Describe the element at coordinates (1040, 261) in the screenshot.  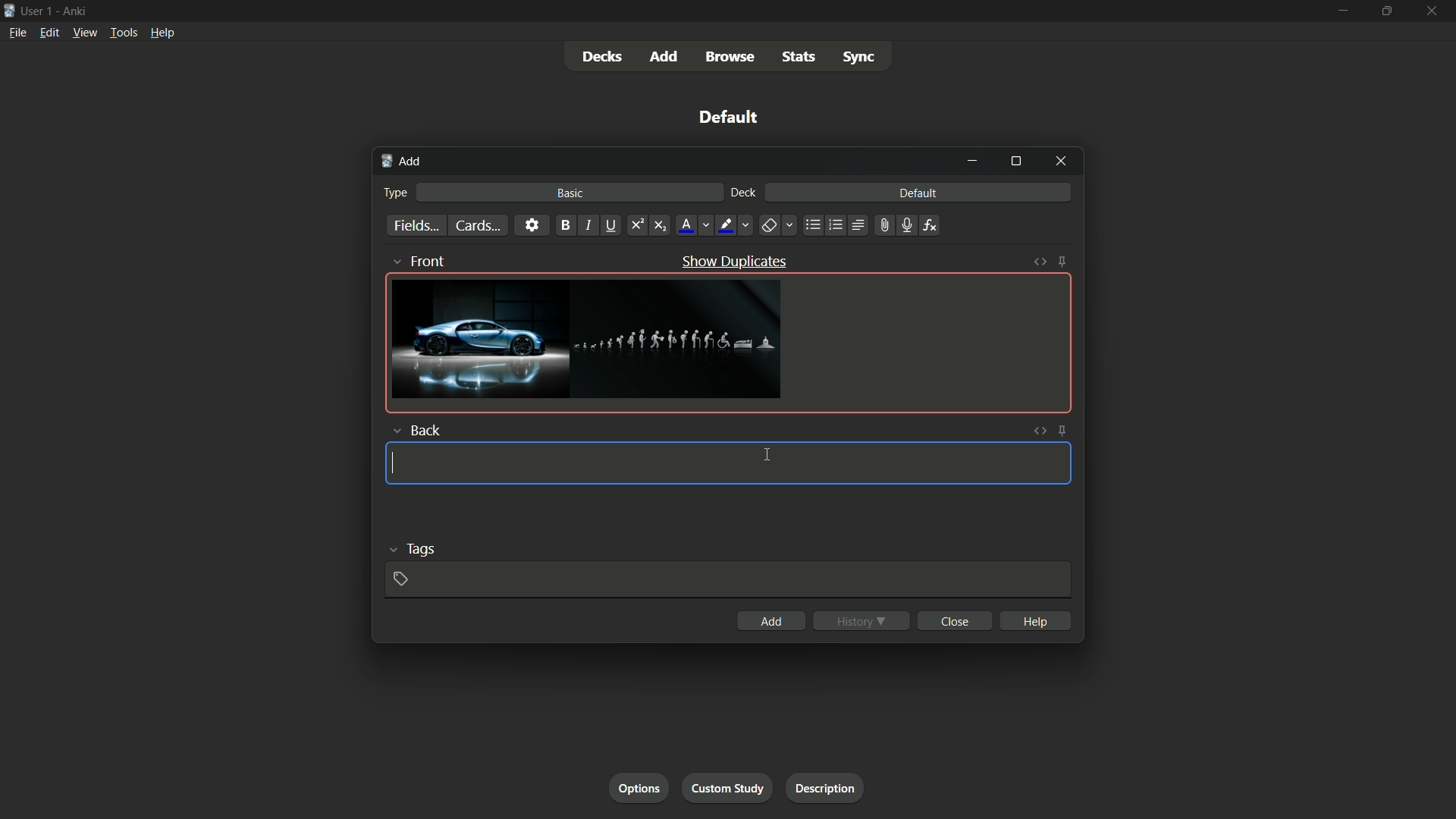
I see `toggle html editor` at that location.